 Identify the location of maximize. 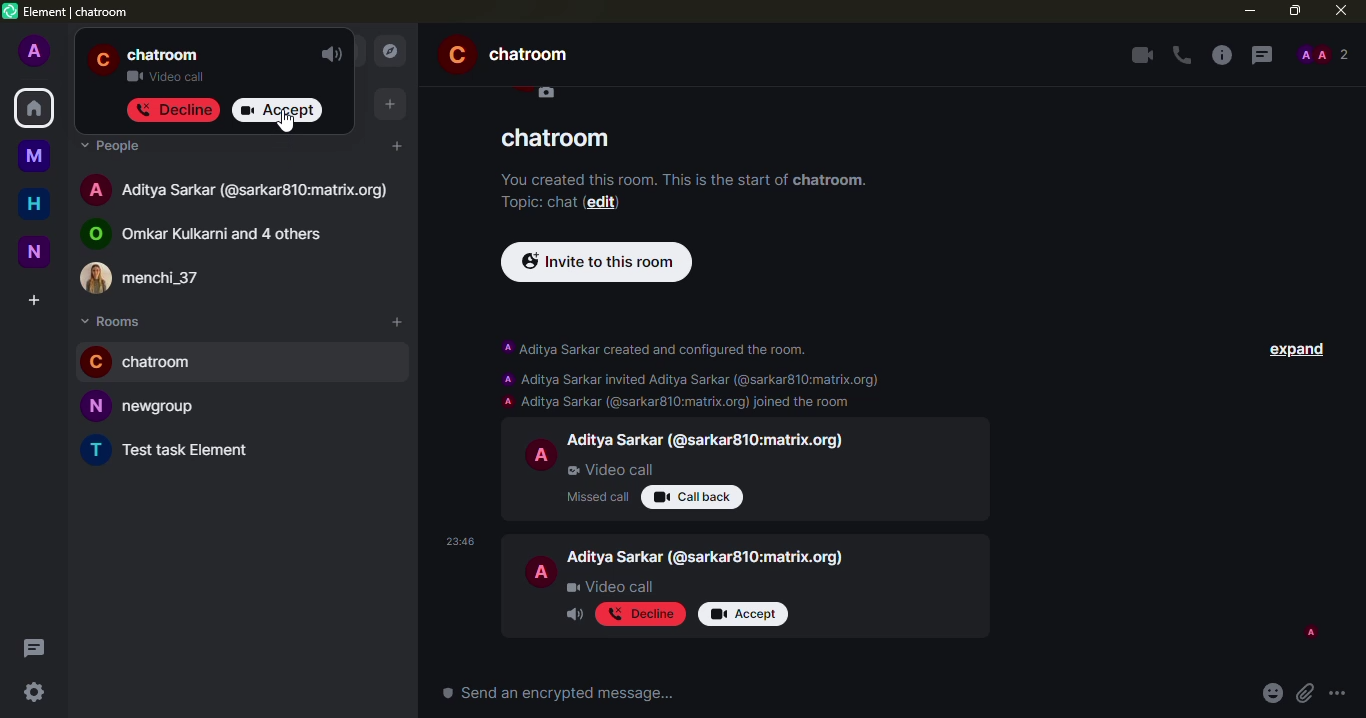
(1292, 11).